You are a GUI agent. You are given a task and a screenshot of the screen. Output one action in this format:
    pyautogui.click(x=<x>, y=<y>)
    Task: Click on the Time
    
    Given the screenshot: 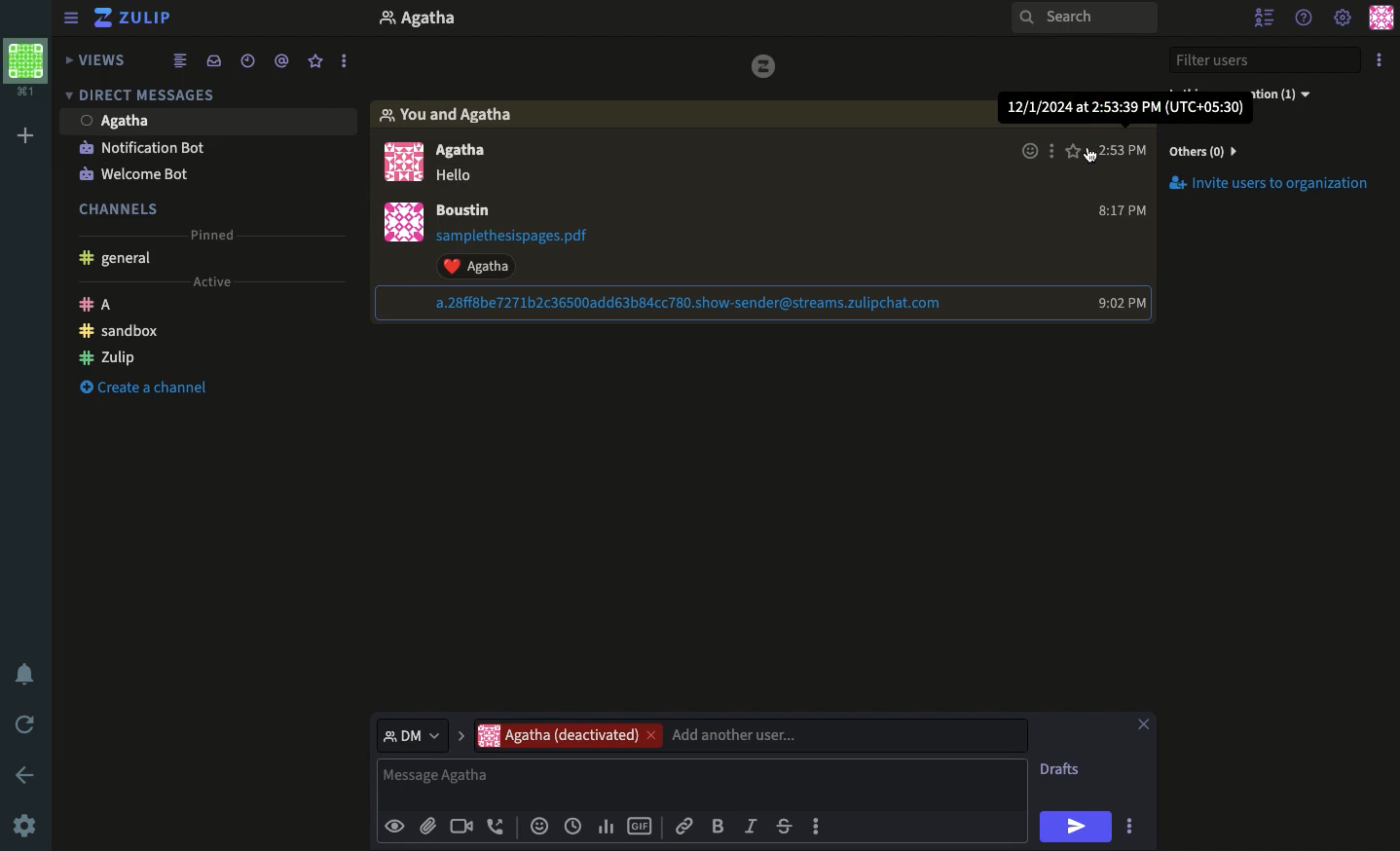 What is the action you would take?
    pyautogui.click(x=1124, y=208)
    